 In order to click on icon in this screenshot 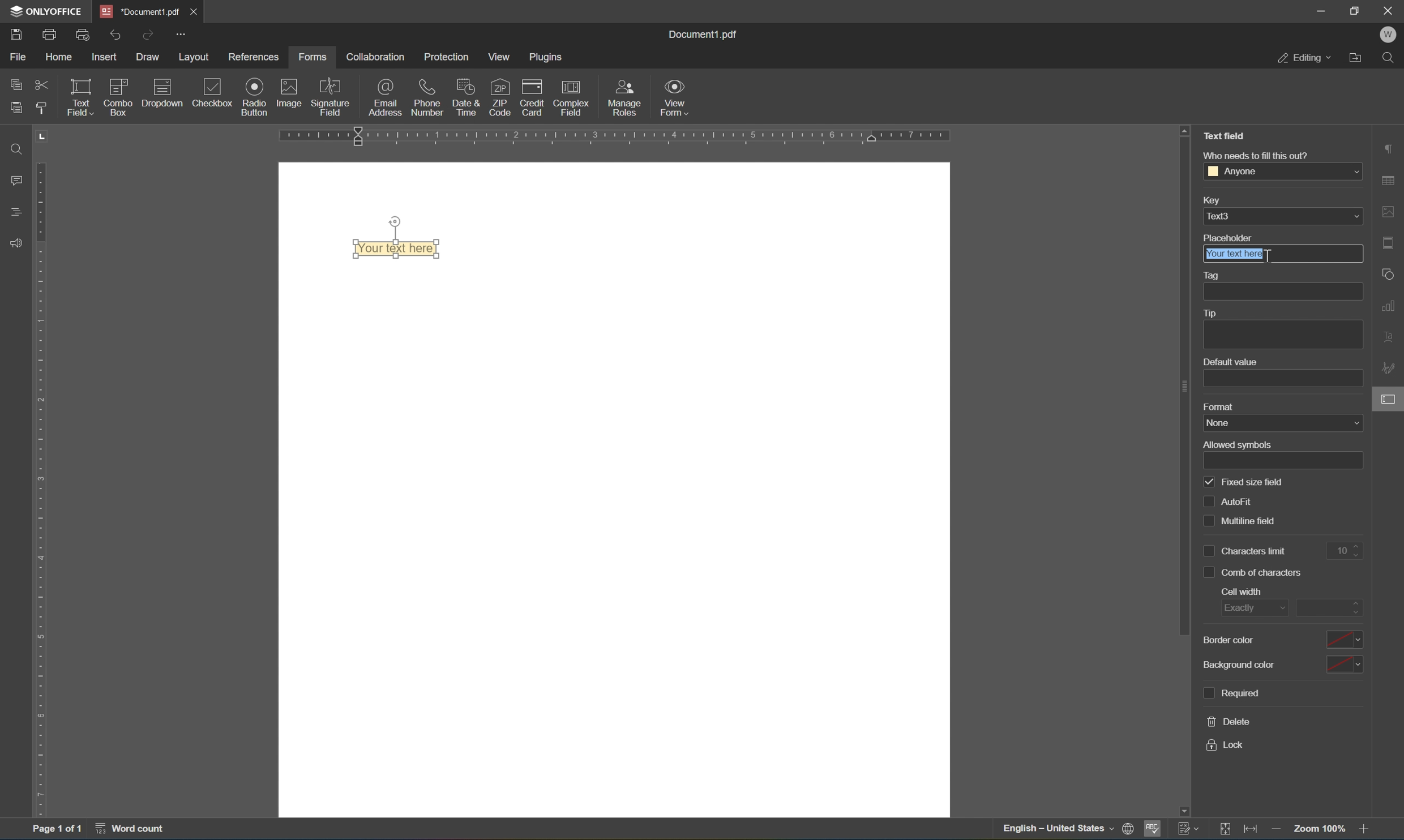, I will do `click(121, 84)`.